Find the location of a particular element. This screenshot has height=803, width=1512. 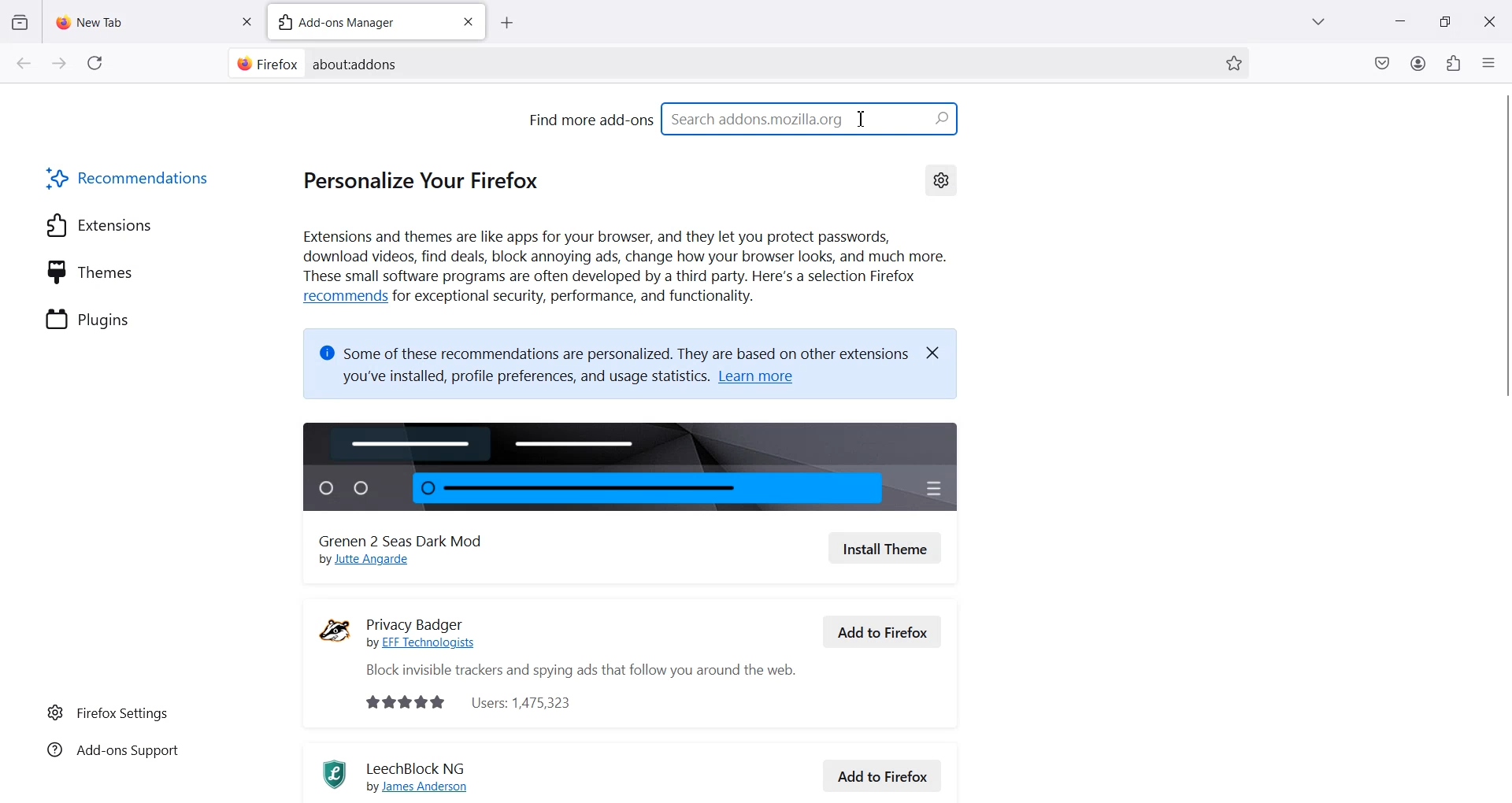

Add new tab is located at coordinates (506, 23).